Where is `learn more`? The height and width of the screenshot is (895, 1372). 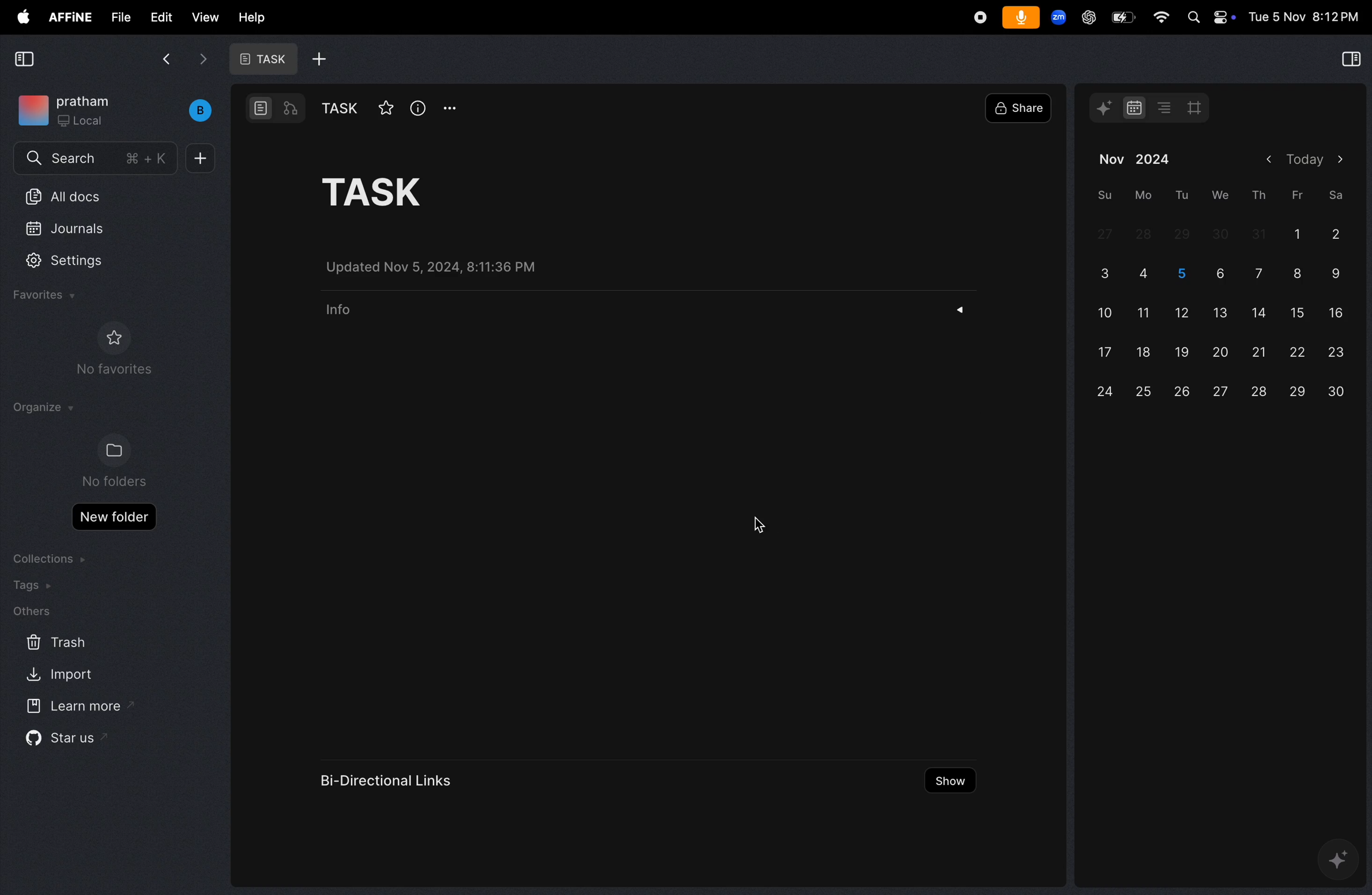 learn more is located at coordinates (77, 707).